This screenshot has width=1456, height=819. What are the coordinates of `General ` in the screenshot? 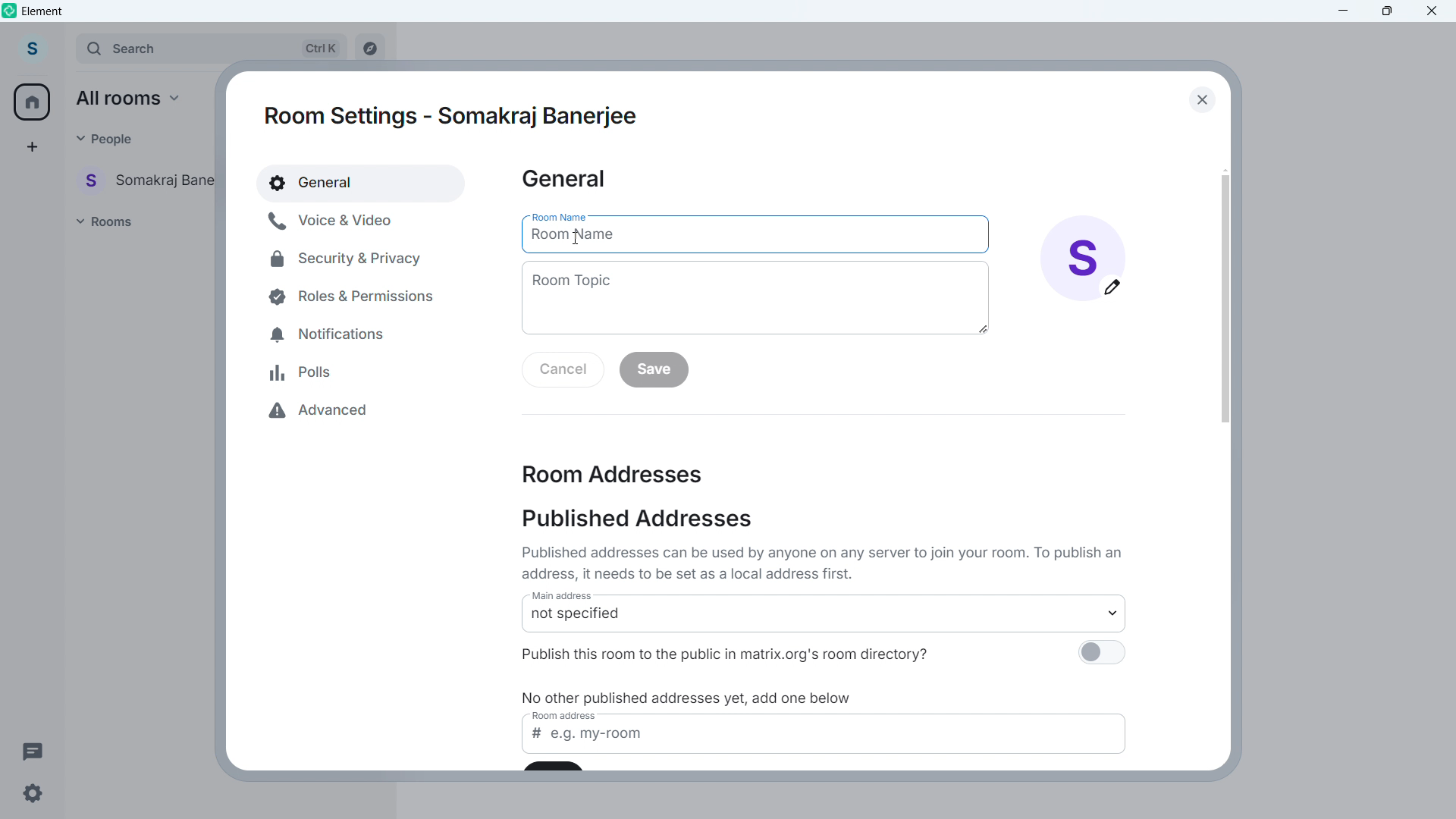 It's located at (563, 180).